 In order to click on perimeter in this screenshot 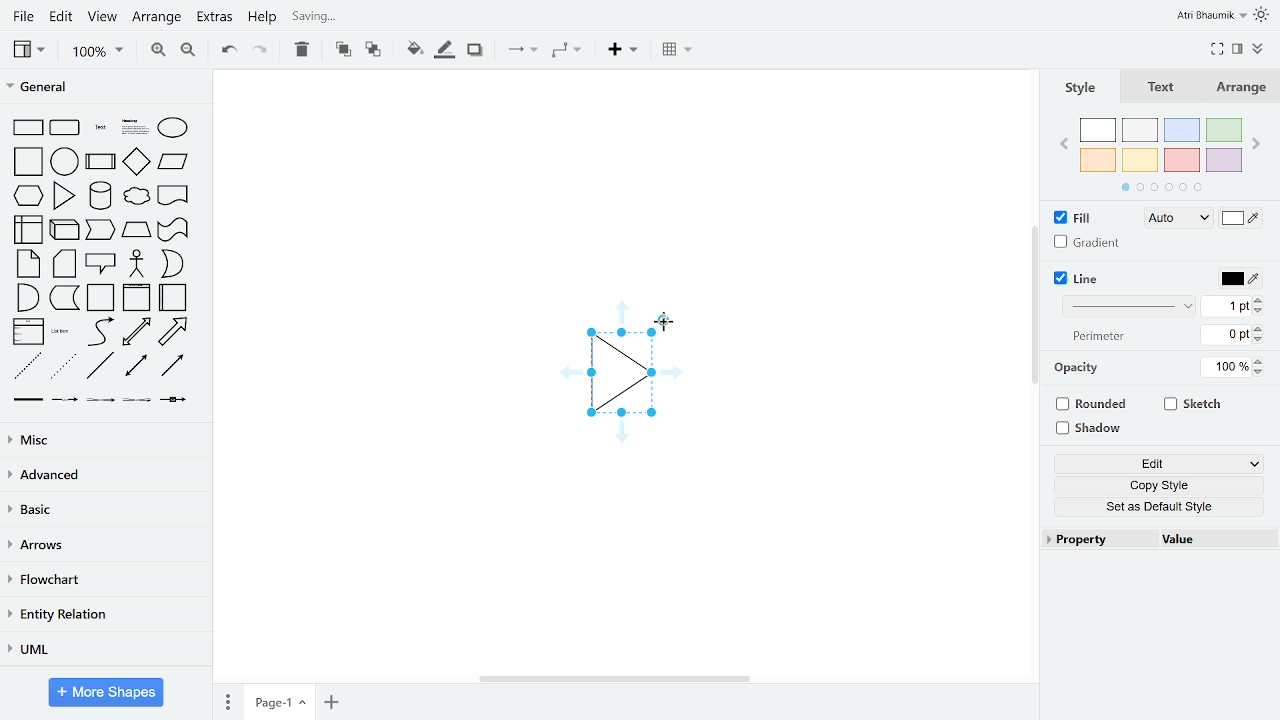, I will do `click(1096, 337)`.